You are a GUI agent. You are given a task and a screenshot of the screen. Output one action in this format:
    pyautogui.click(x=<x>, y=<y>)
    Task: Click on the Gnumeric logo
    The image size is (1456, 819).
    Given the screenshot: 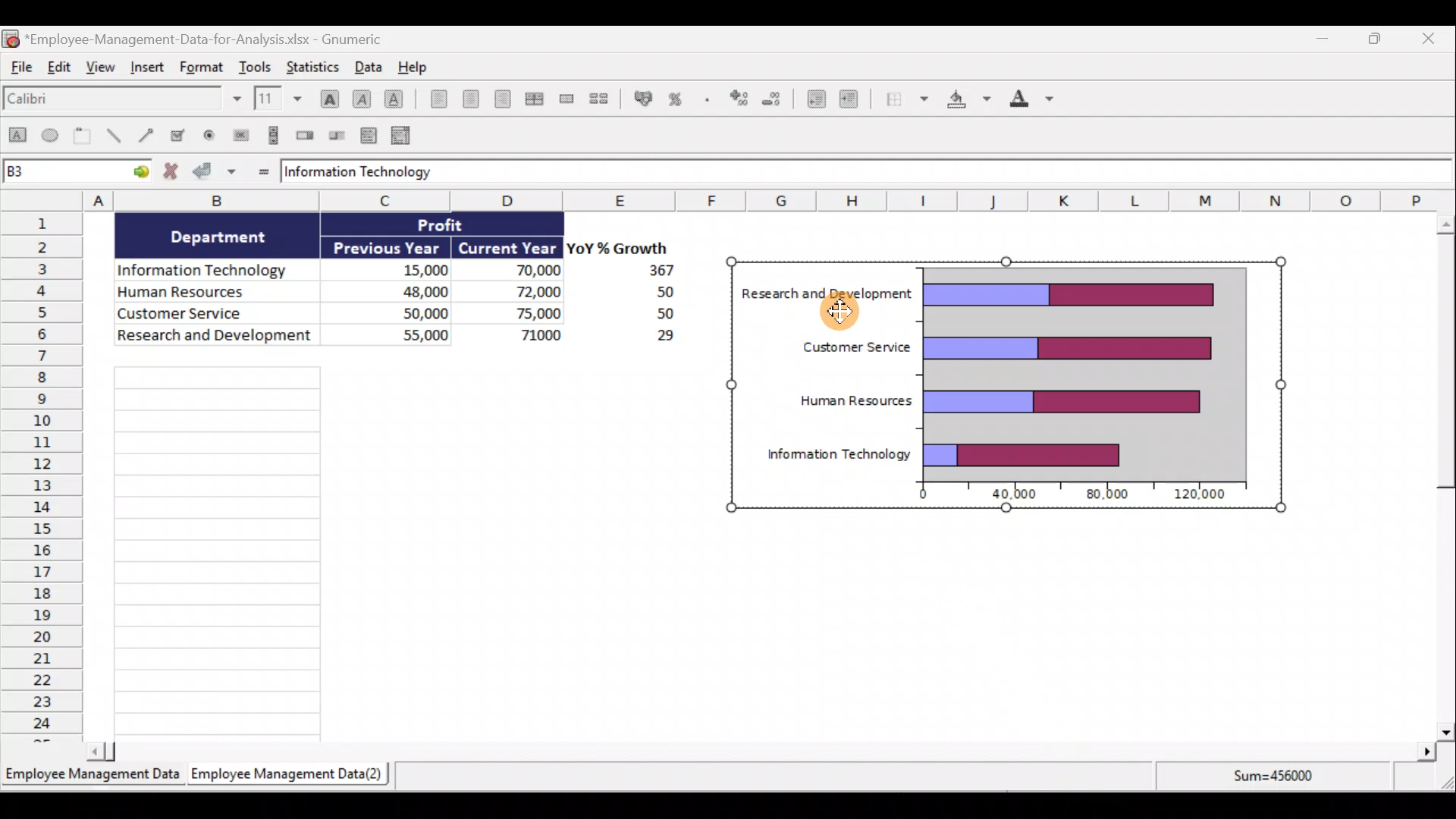 What is the action you would take?
    pyautogui.click(x=11, y=38)
    